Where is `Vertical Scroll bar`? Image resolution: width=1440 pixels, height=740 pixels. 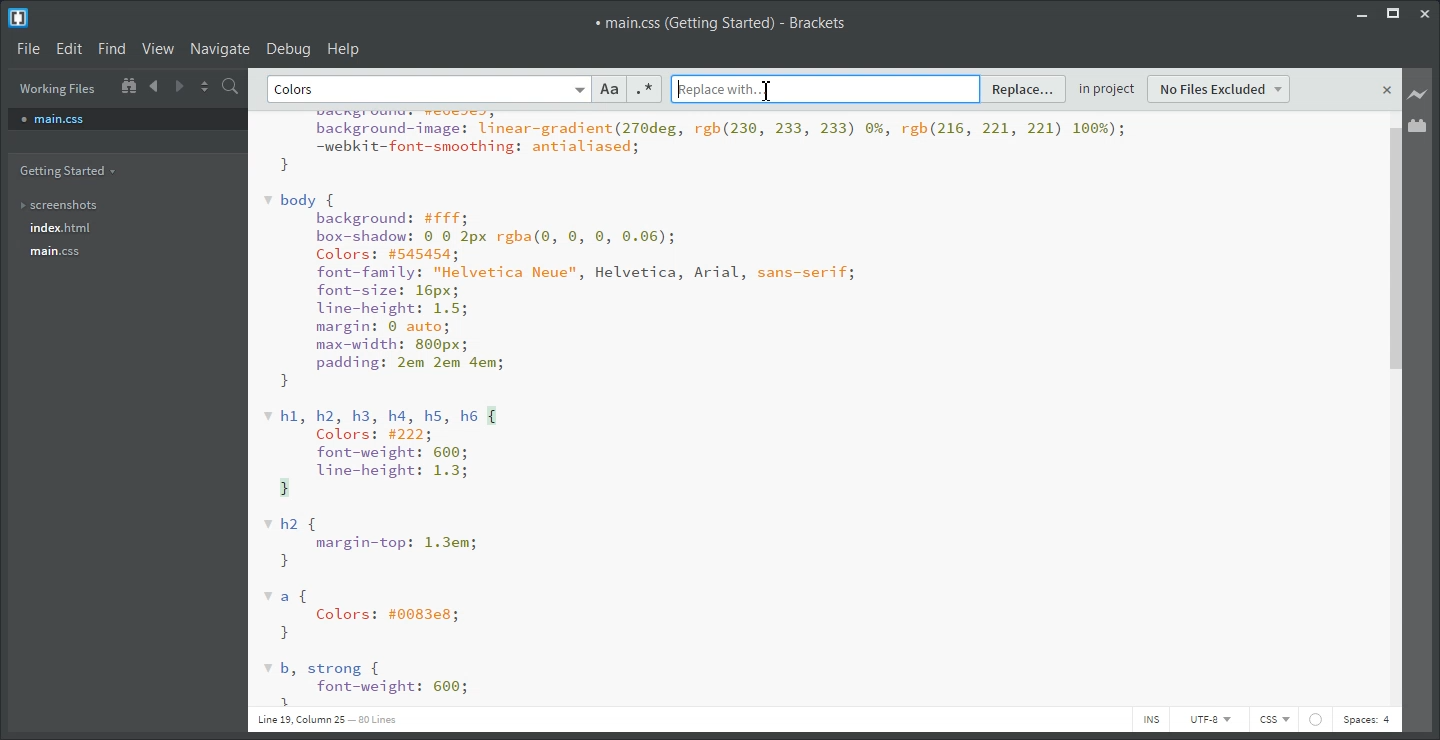 Vertical Scroll bar is located at coordinates (1394, 413).